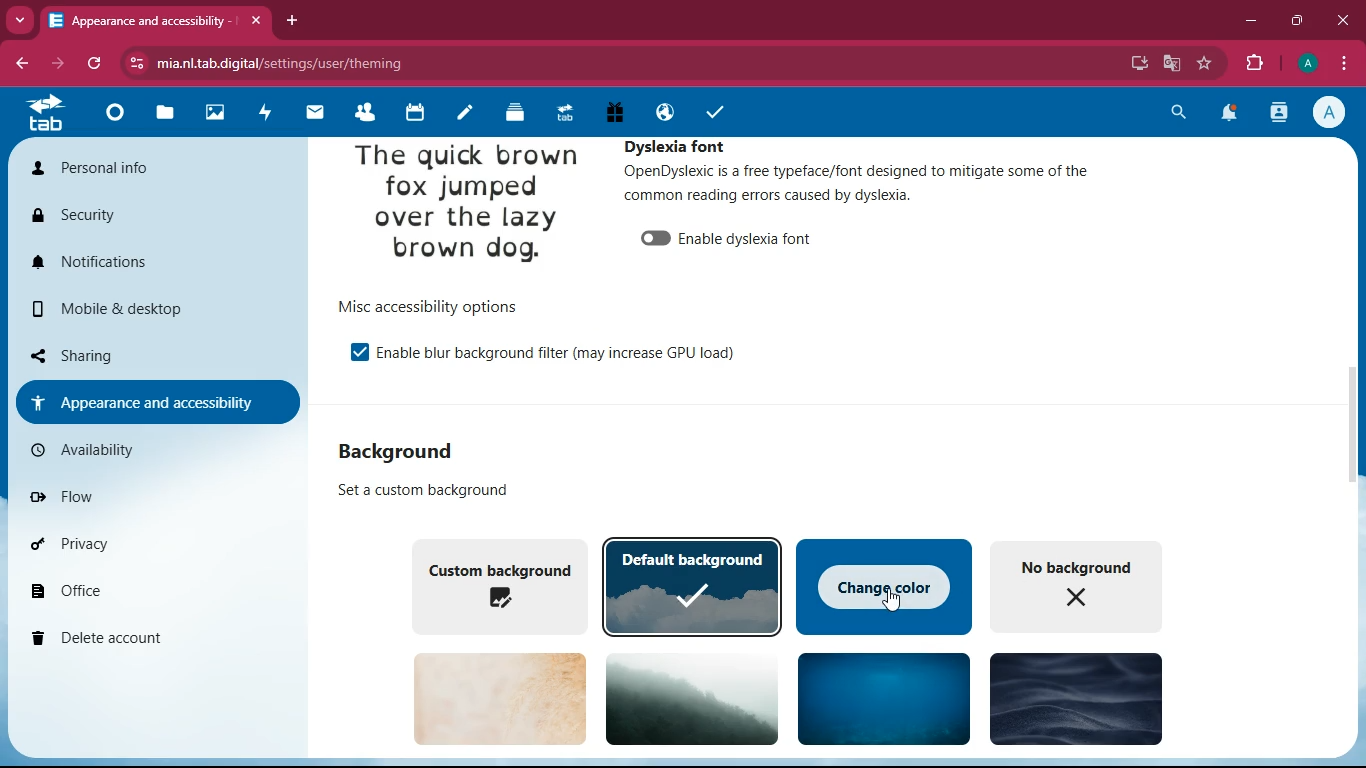 The height and width of the screenshot is (768, 1366). I want to click on calendar, so click(412, 113).